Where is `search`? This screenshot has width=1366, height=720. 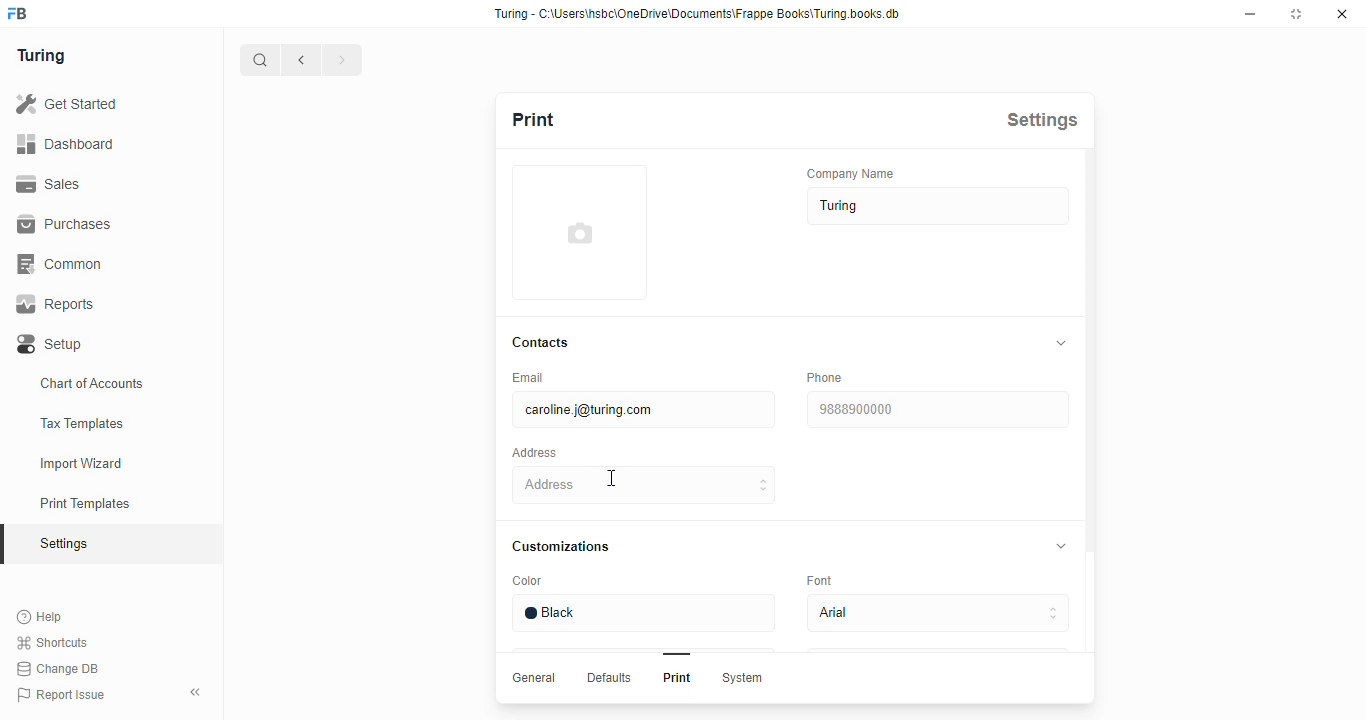 search is located at coordinates (260, 60).